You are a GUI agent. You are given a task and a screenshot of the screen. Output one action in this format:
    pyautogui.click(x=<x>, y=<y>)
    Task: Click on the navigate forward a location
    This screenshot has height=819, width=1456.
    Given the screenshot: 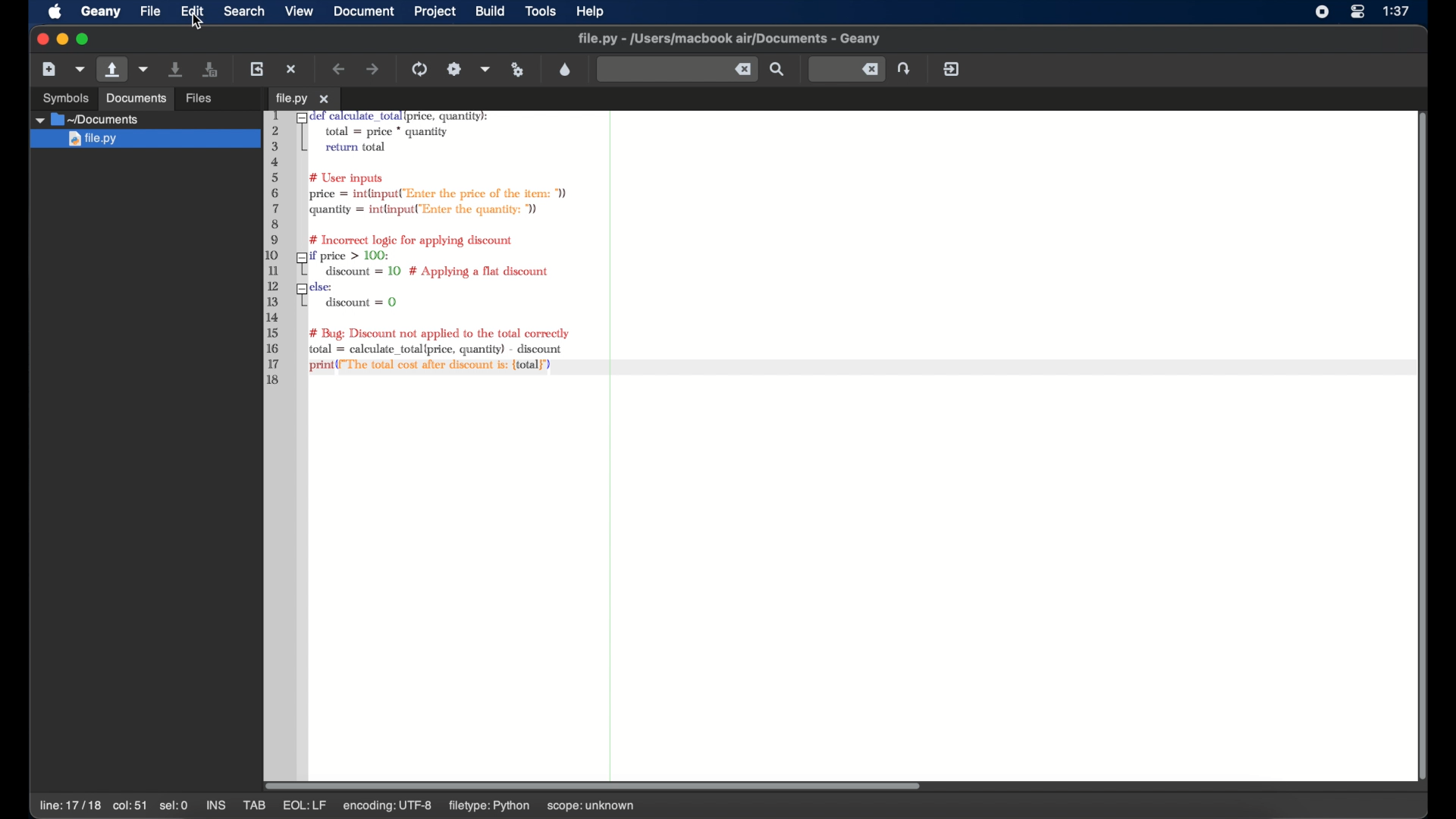 What is the action you would take?
    pyautogui.click(x=373, y=69)
    